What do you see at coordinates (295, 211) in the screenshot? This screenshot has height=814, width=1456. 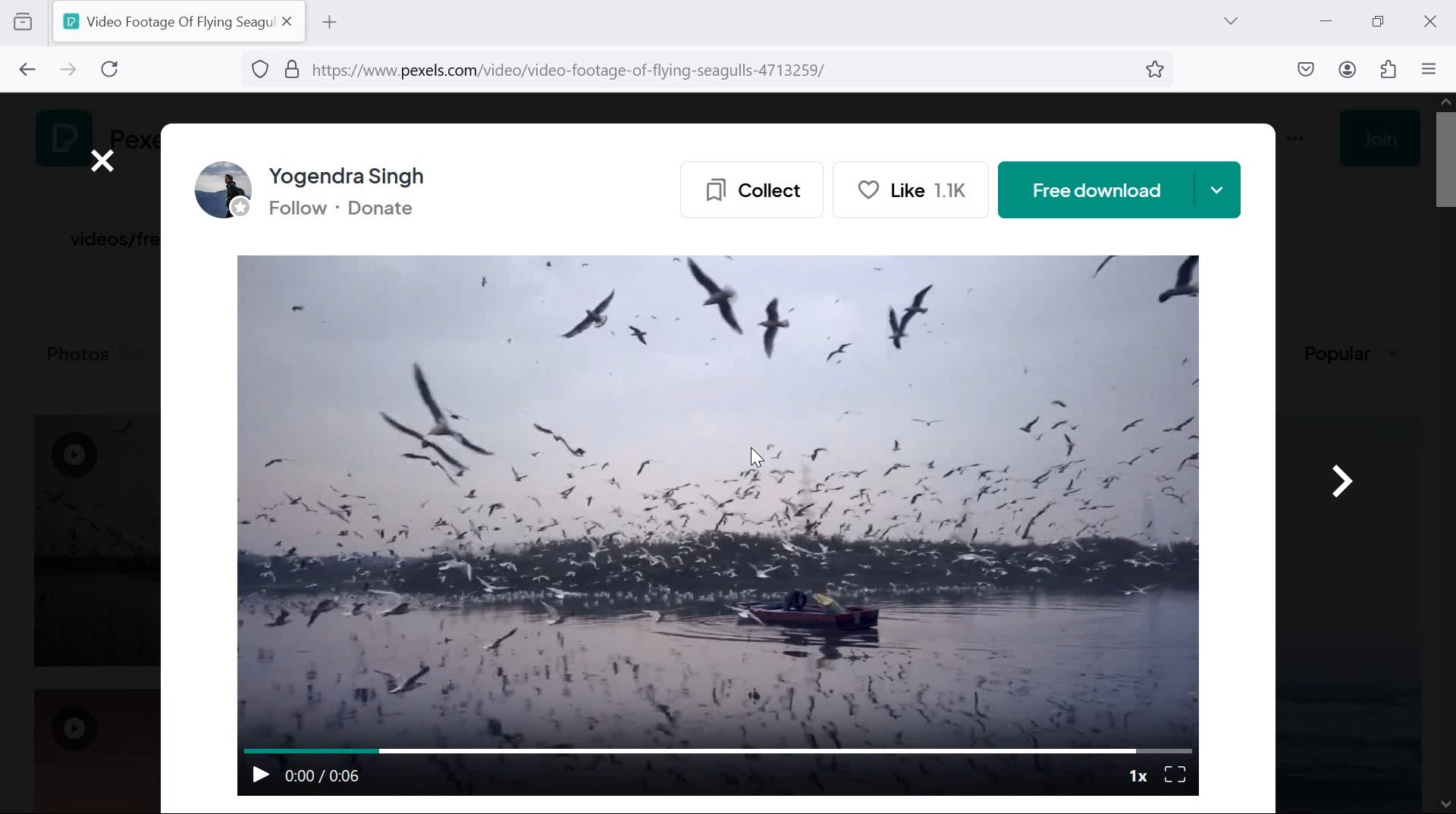 I see `Follow` at bounding box center [295, 211].